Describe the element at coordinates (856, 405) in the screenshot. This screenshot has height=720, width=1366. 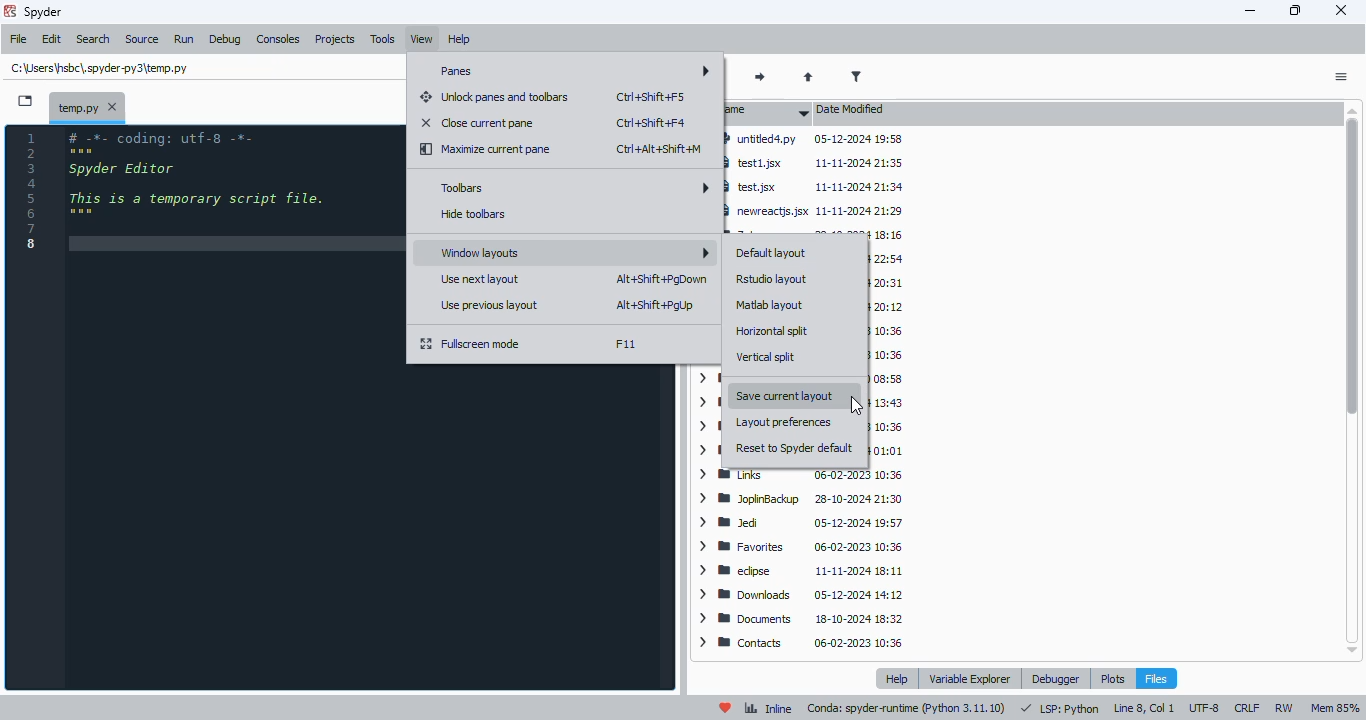
I see `cursor` at that location.